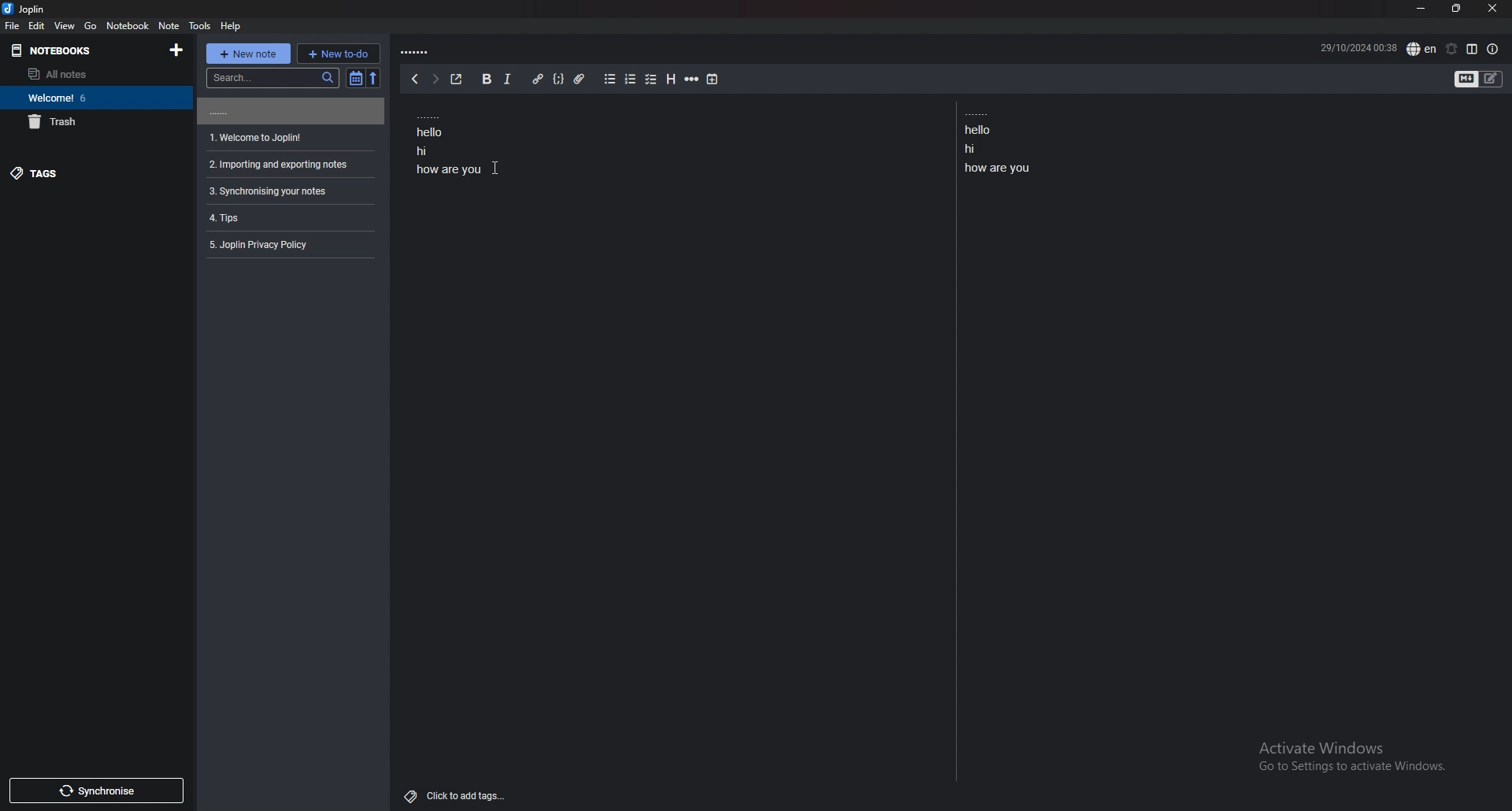 Image resolution: width=1512 pixels, height=811 pixels. Describe the element at coordinates (96, 122) in the screenshot. I see `trash` at that location.